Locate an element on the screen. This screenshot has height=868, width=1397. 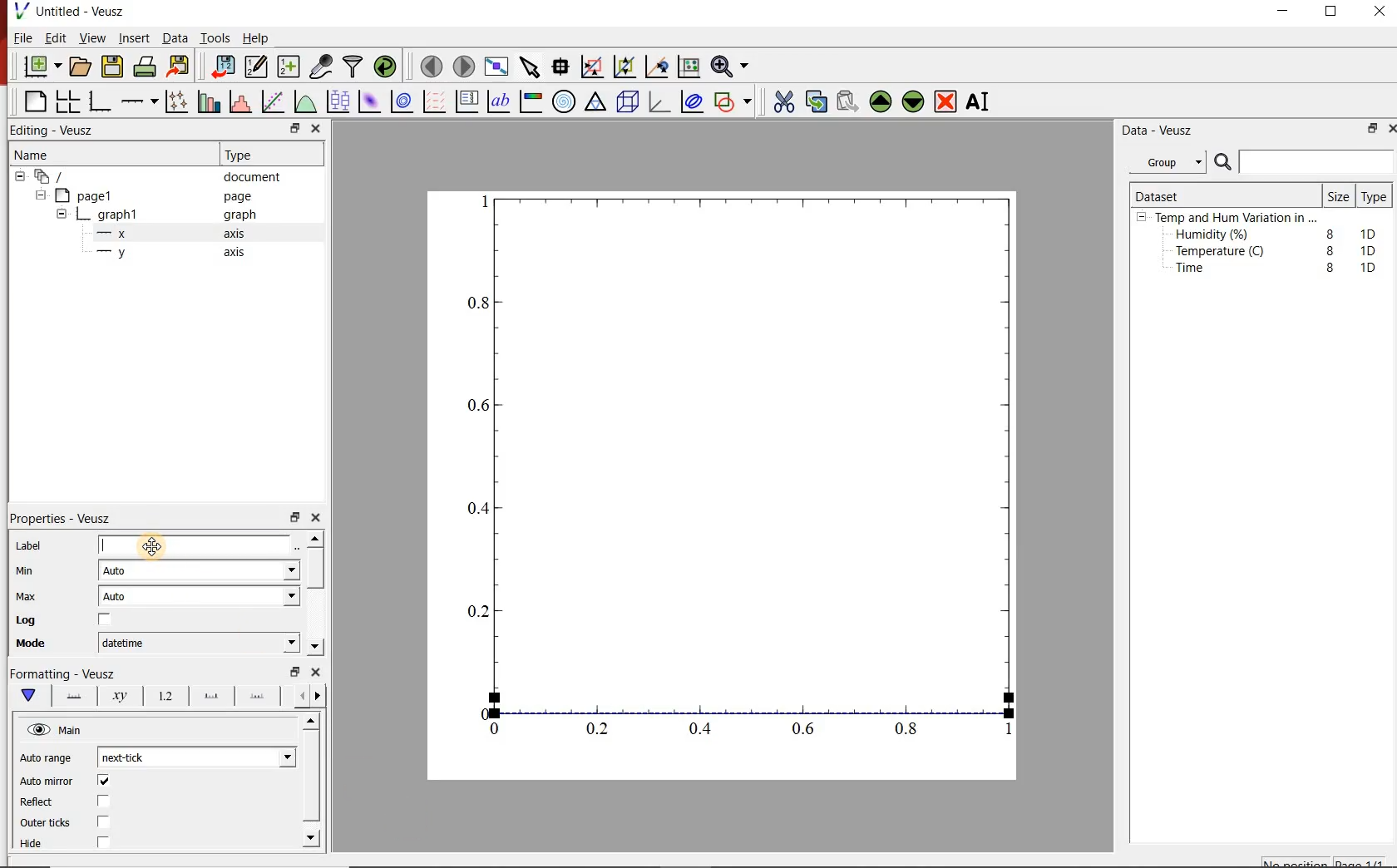
restore down is located at coordinates (1369, 131).